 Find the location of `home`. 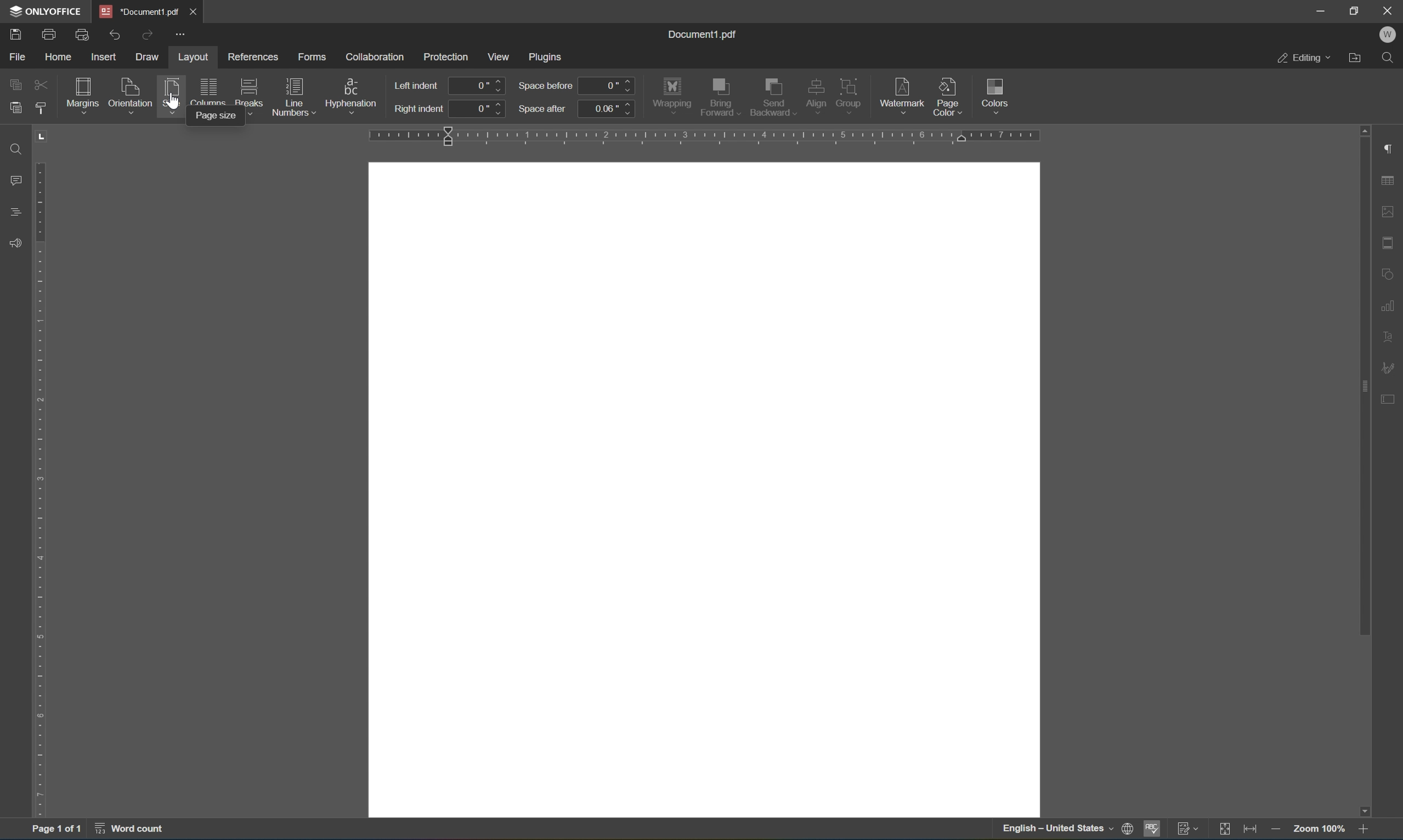

home is located at coordinates (56, 56).